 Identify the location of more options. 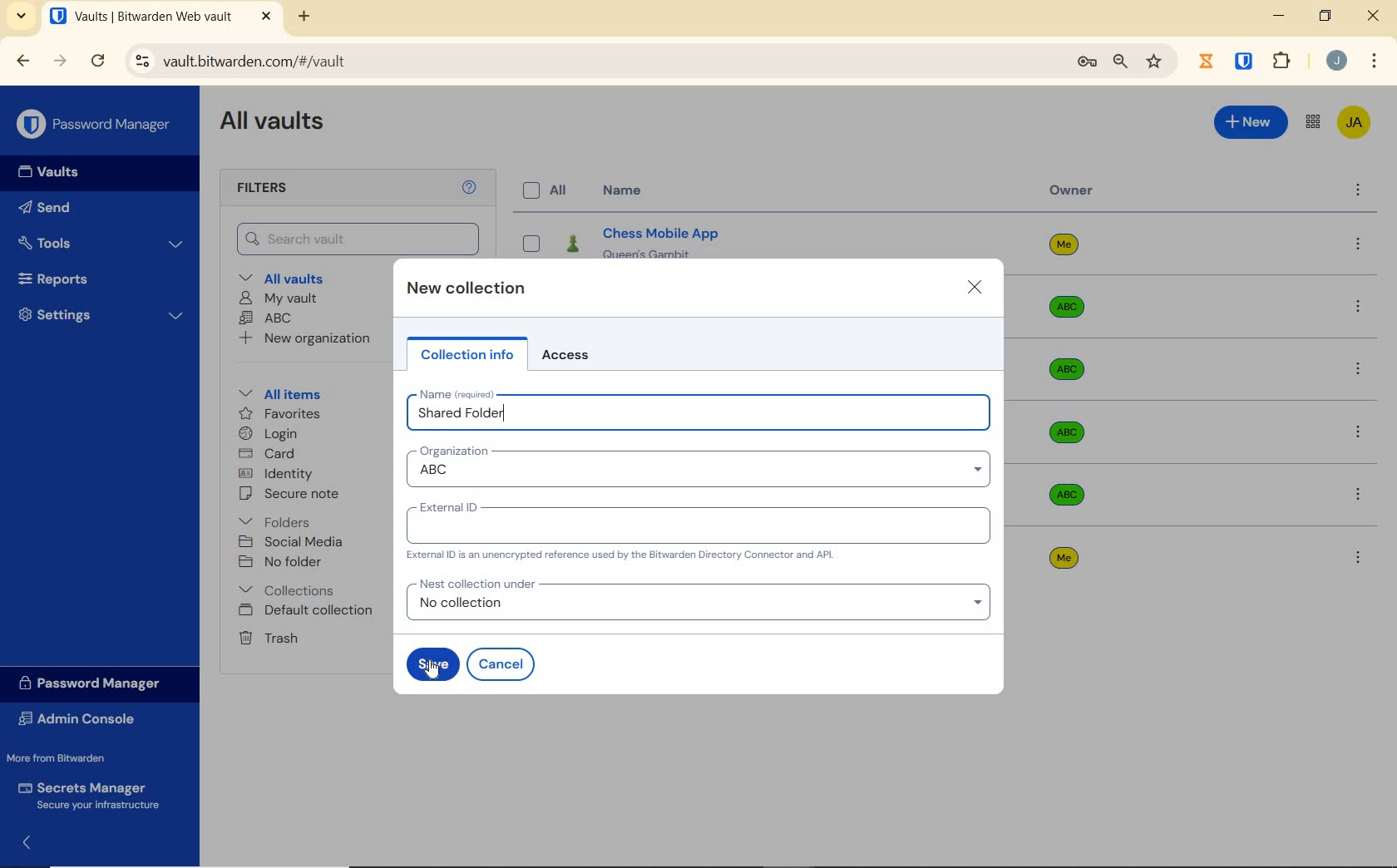
(1358, 496).